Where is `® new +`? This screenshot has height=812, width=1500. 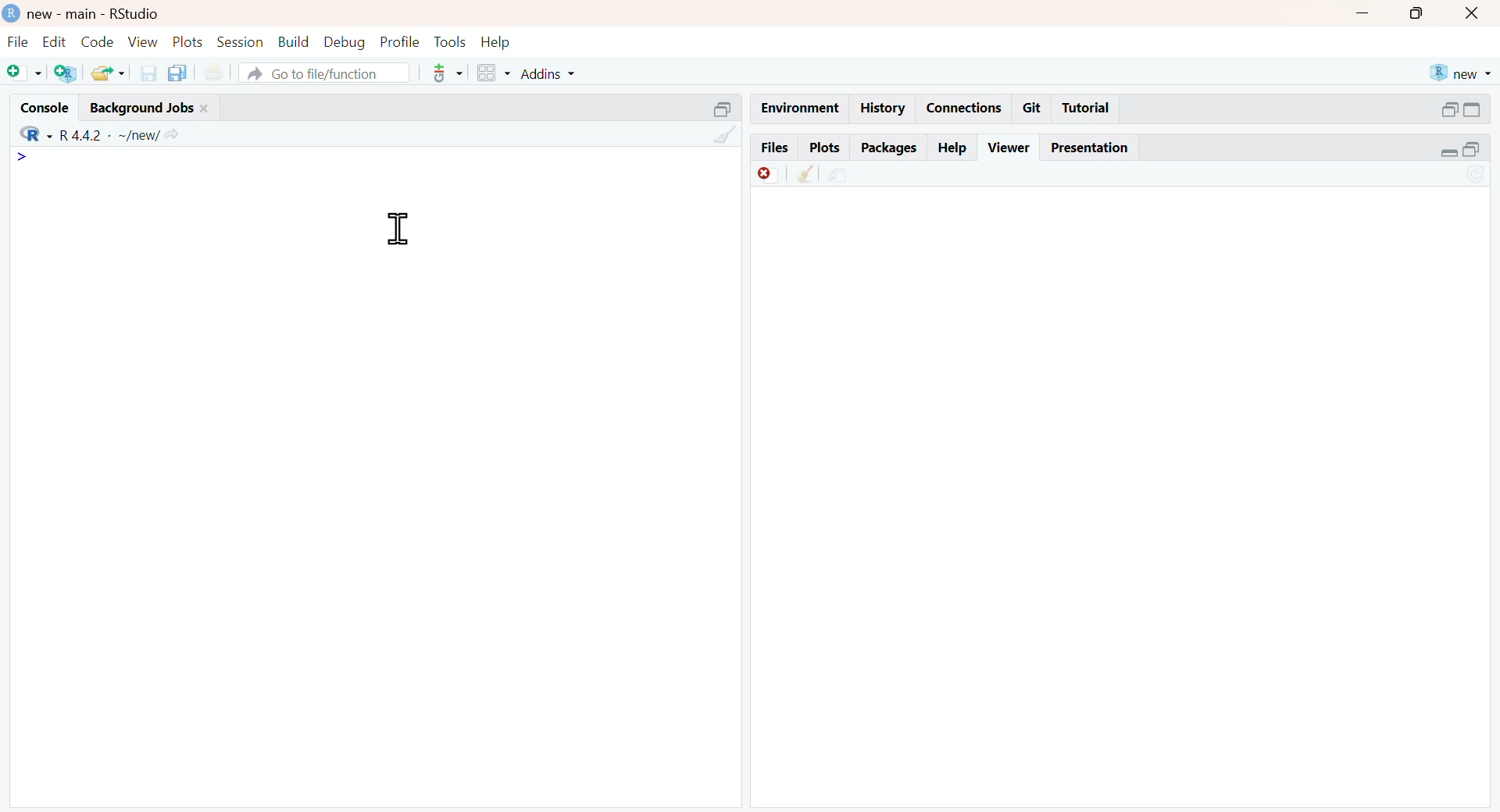 ® new + is located at coordinates (1463, 72).